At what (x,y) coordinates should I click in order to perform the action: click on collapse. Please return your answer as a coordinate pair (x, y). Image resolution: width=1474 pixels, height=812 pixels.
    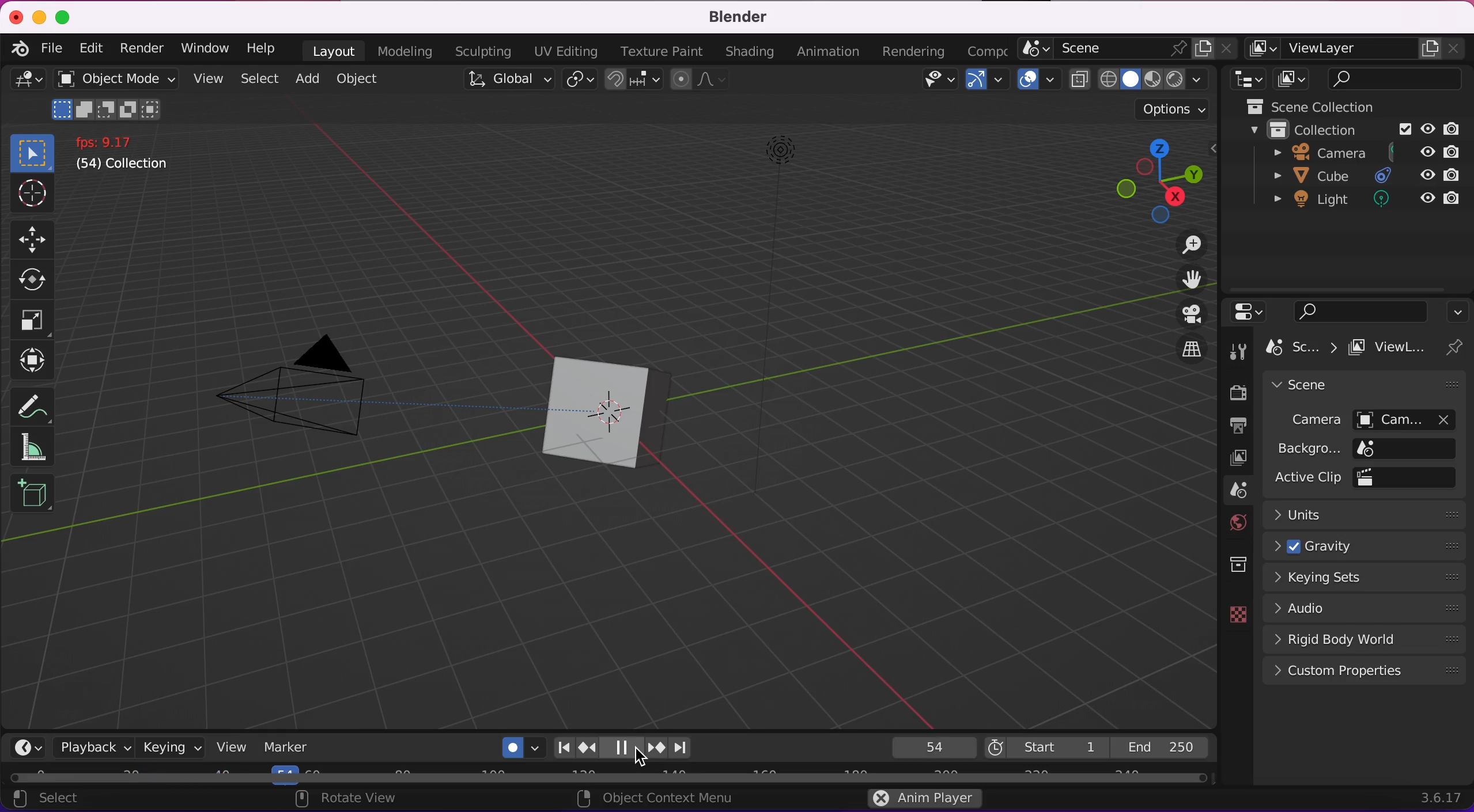
    Looking at the image, I should click on (1459, 310).